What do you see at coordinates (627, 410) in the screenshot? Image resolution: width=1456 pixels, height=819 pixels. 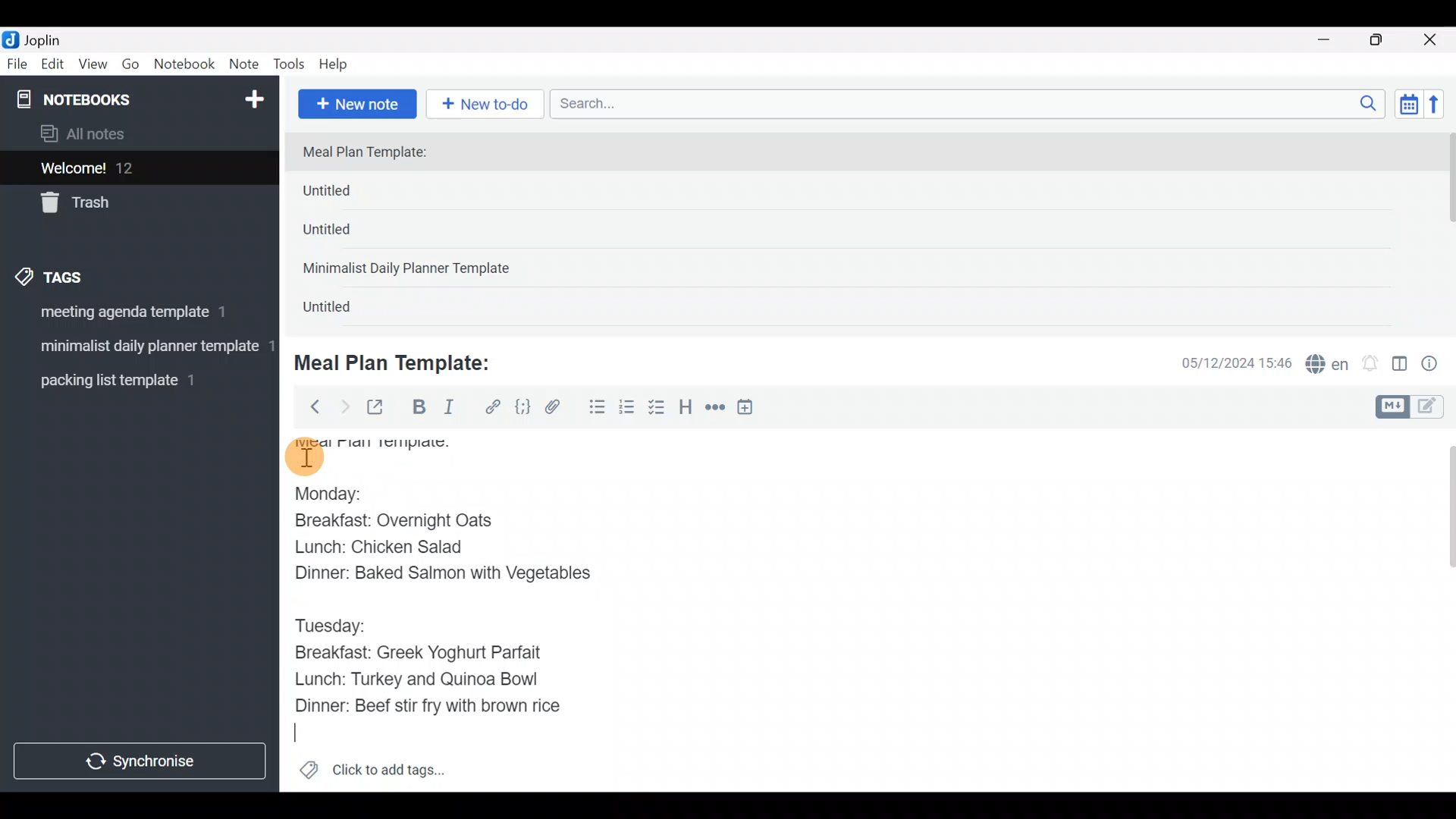 I see `Numbered list` at bounding box center [627, 410].